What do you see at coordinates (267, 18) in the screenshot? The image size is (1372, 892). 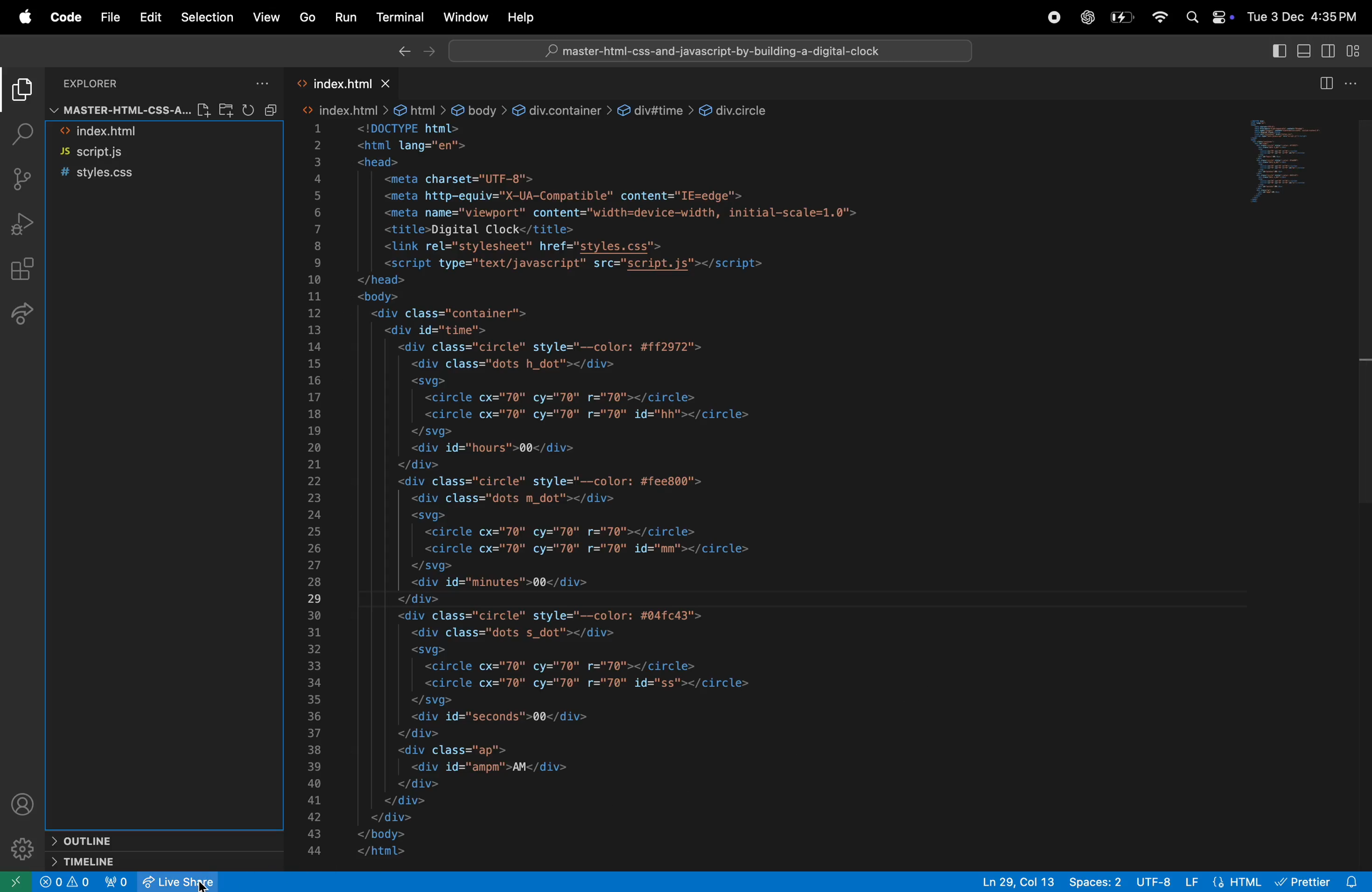 I see `view` at bounding box center [267, 18].